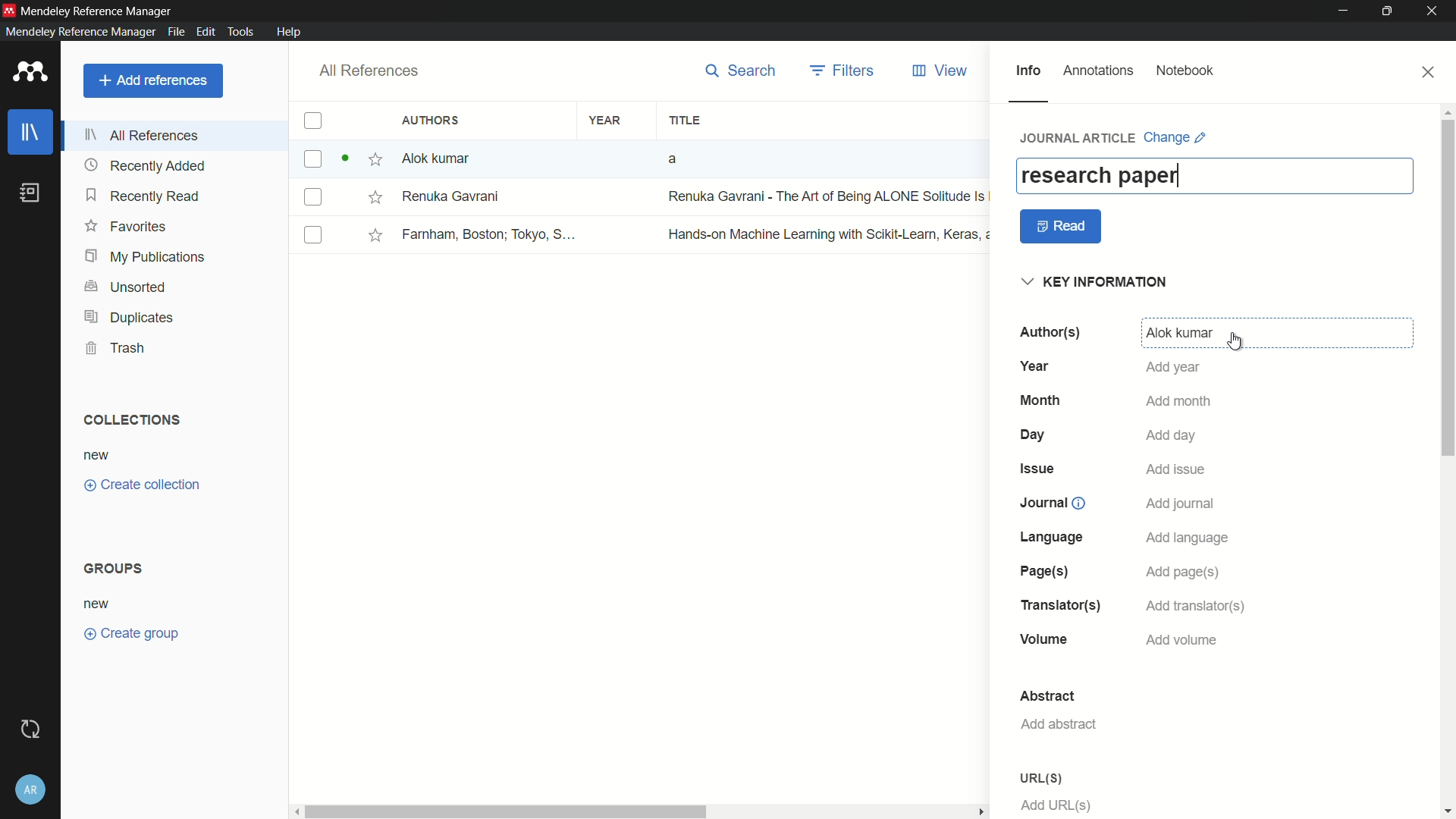  I want to click on new, so click(97, 457).